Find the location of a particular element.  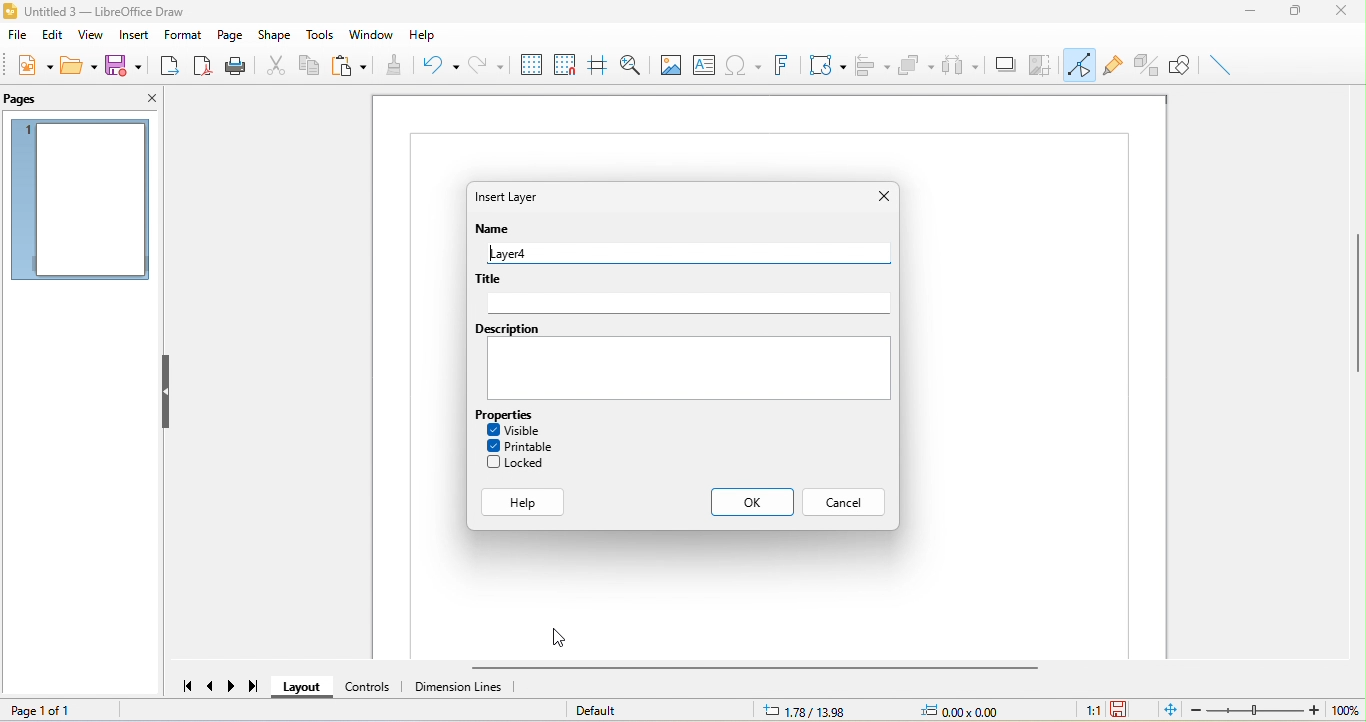

undo is located at coordinates (436, 64).